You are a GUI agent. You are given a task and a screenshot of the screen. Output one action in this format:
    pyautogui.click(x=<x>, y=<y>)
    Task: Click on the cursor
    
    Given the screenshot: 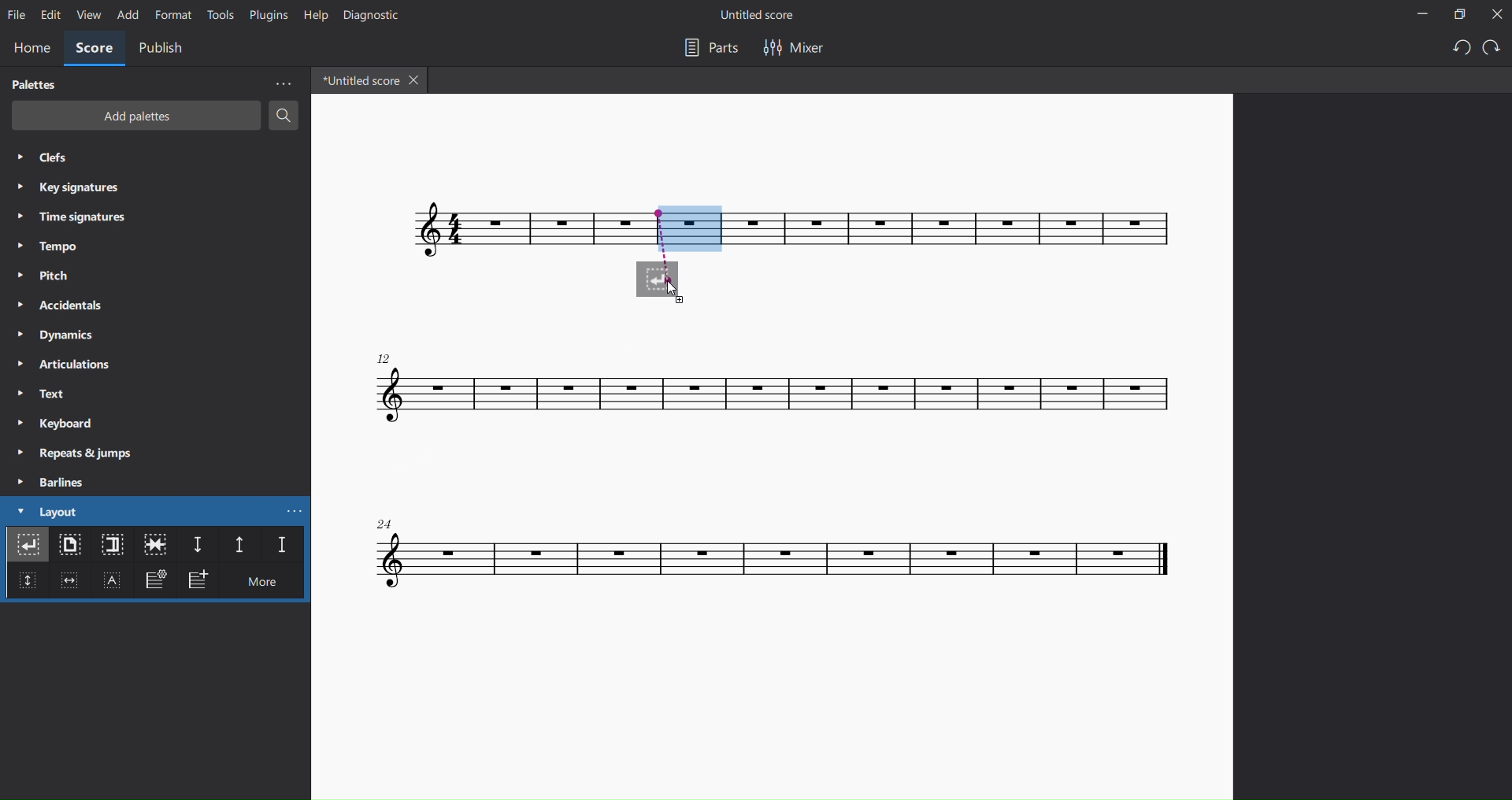 What is the action you would take?
    pyautogui.click(x=680, y=294)
    